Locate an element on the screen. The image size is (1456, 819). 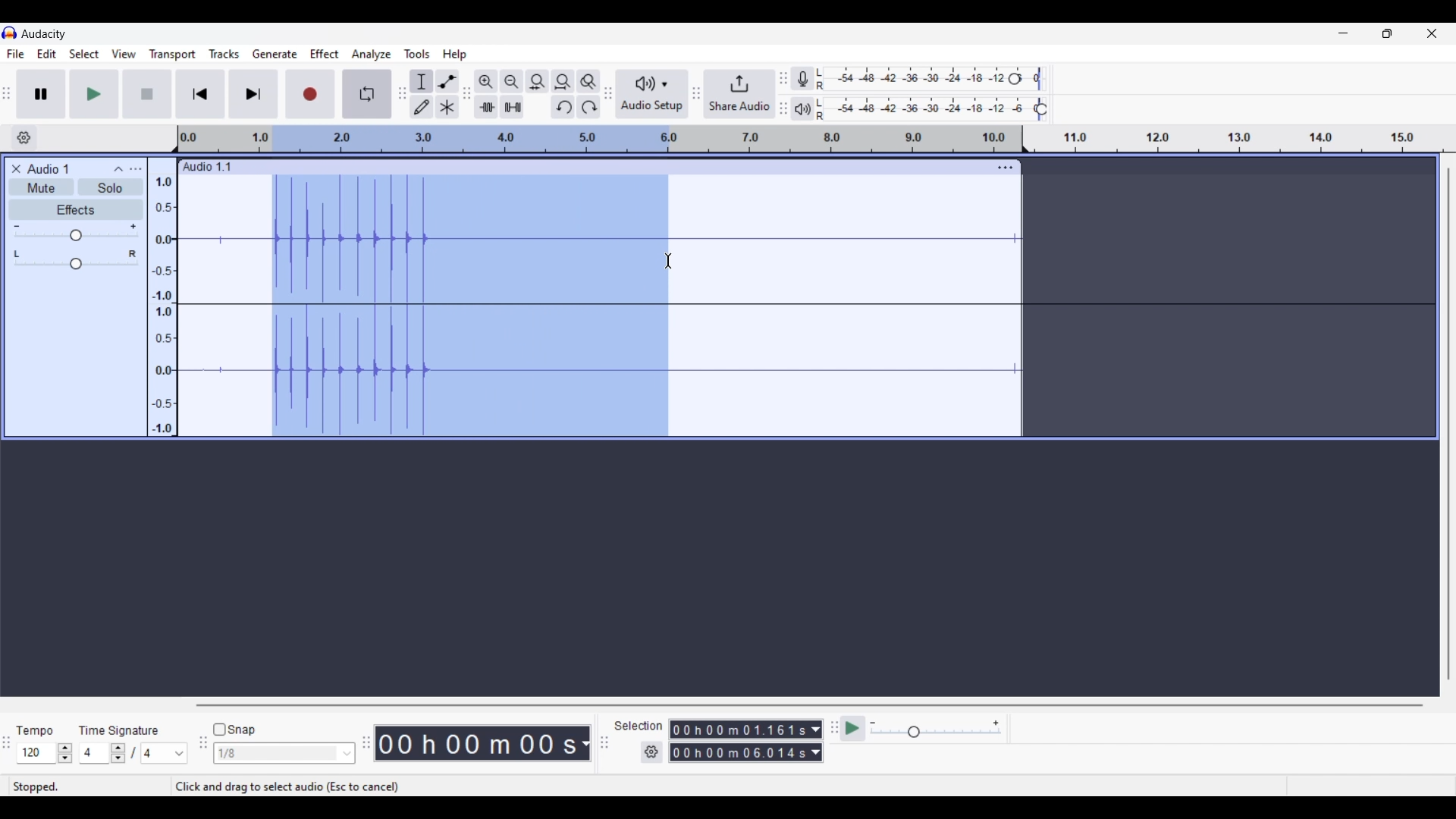
Snap options is located at coordinates (347, 754).